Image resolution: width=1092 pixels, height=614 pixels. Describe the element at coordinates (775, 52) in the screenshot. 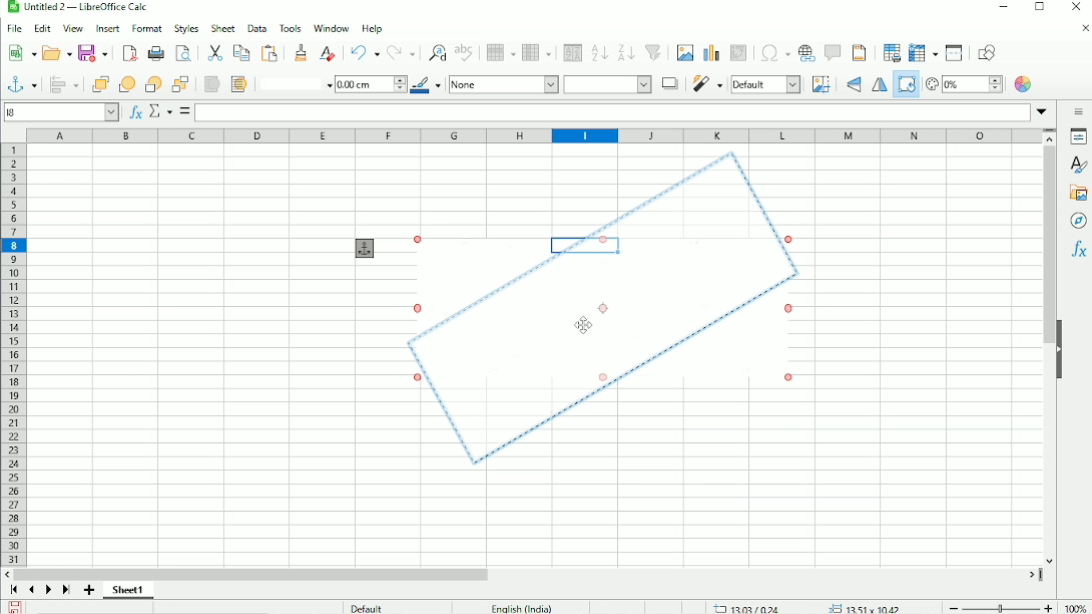

I see `Insert special characters` at that location.